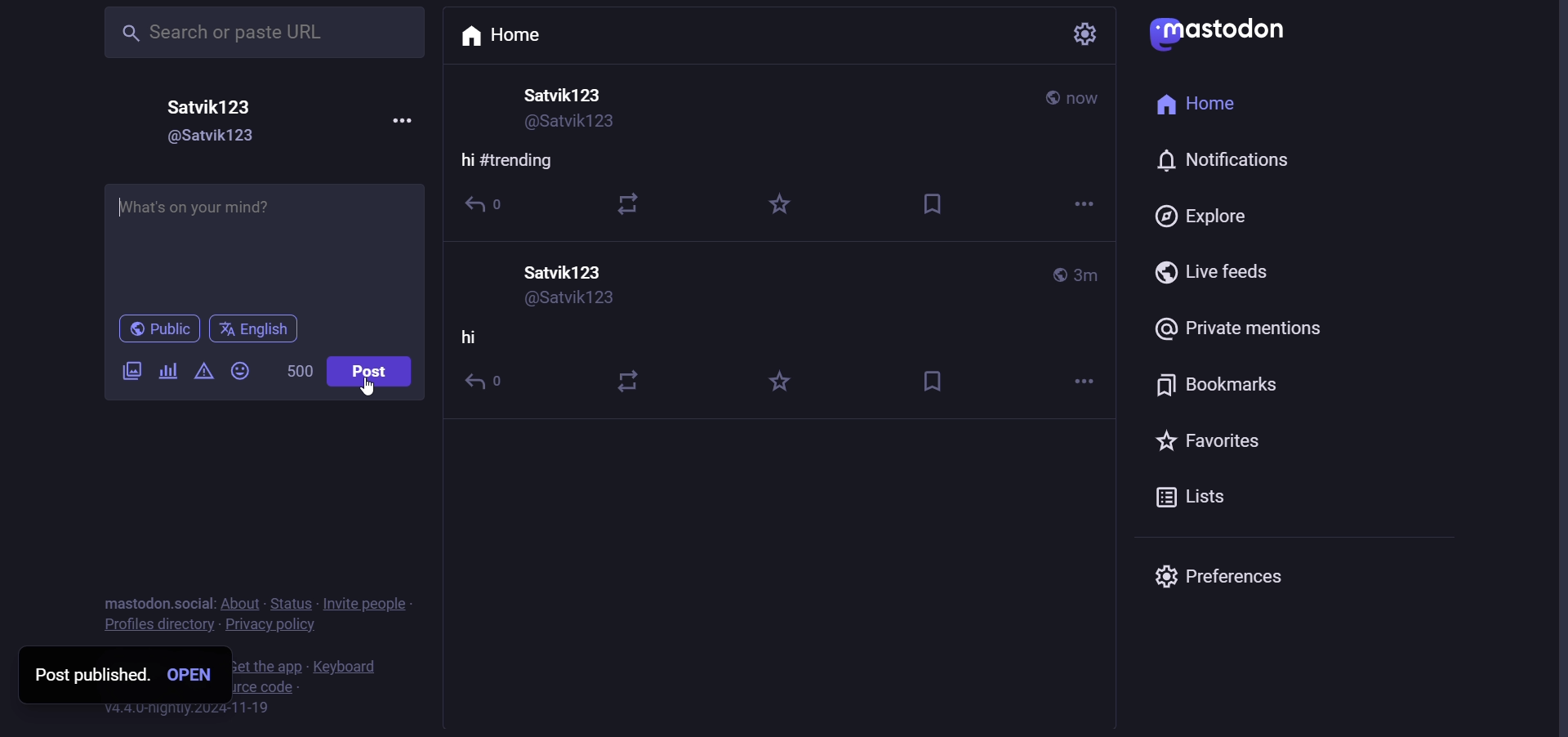 The width and height of the screenshot is (1568, 737). Describe the element at coordinates (574, 123) in the screenshot. I see `user id` at that location.